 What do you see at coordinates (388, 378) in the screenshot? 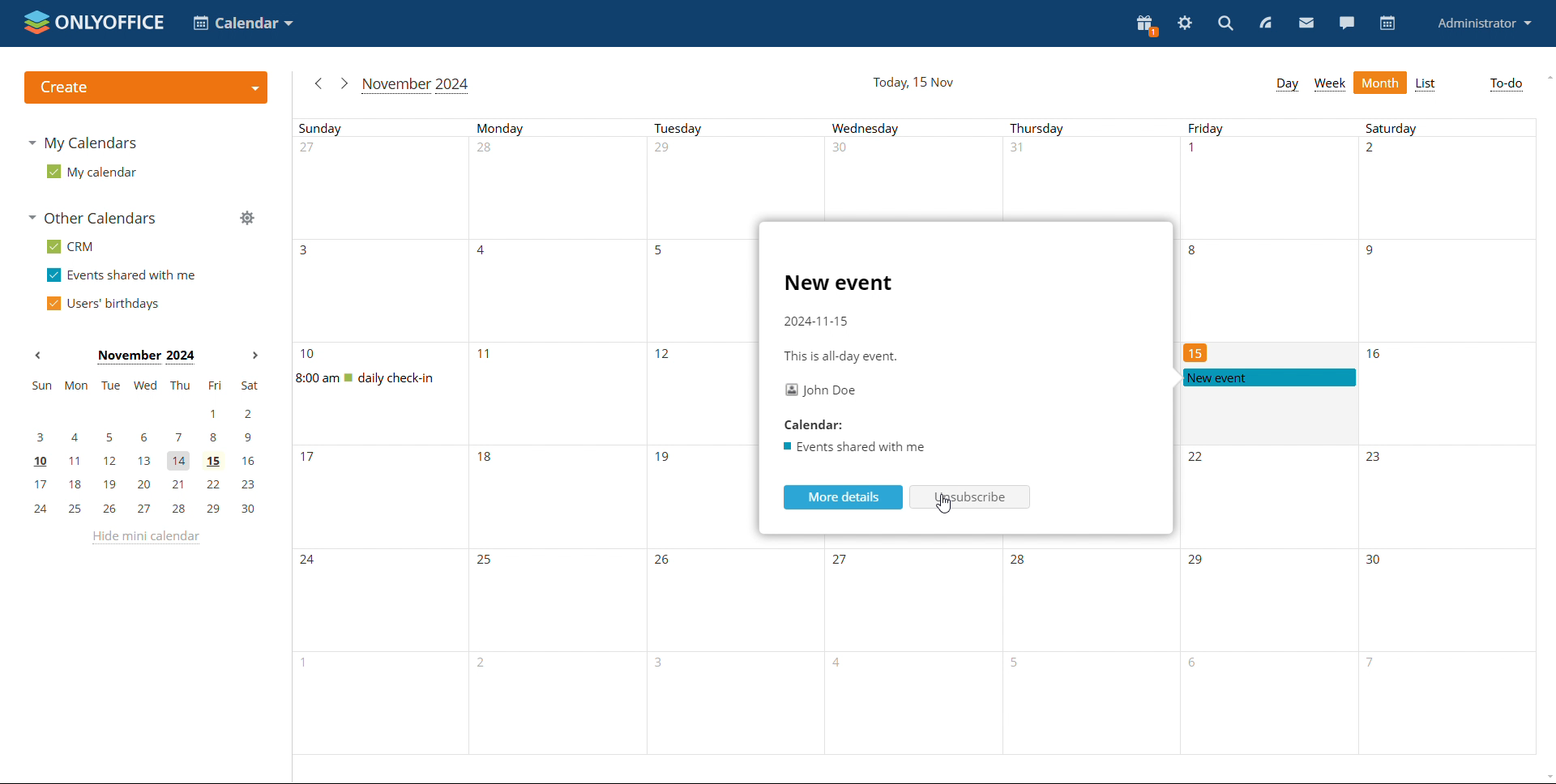
I see `event by current user` at bounding box center [388, 378].